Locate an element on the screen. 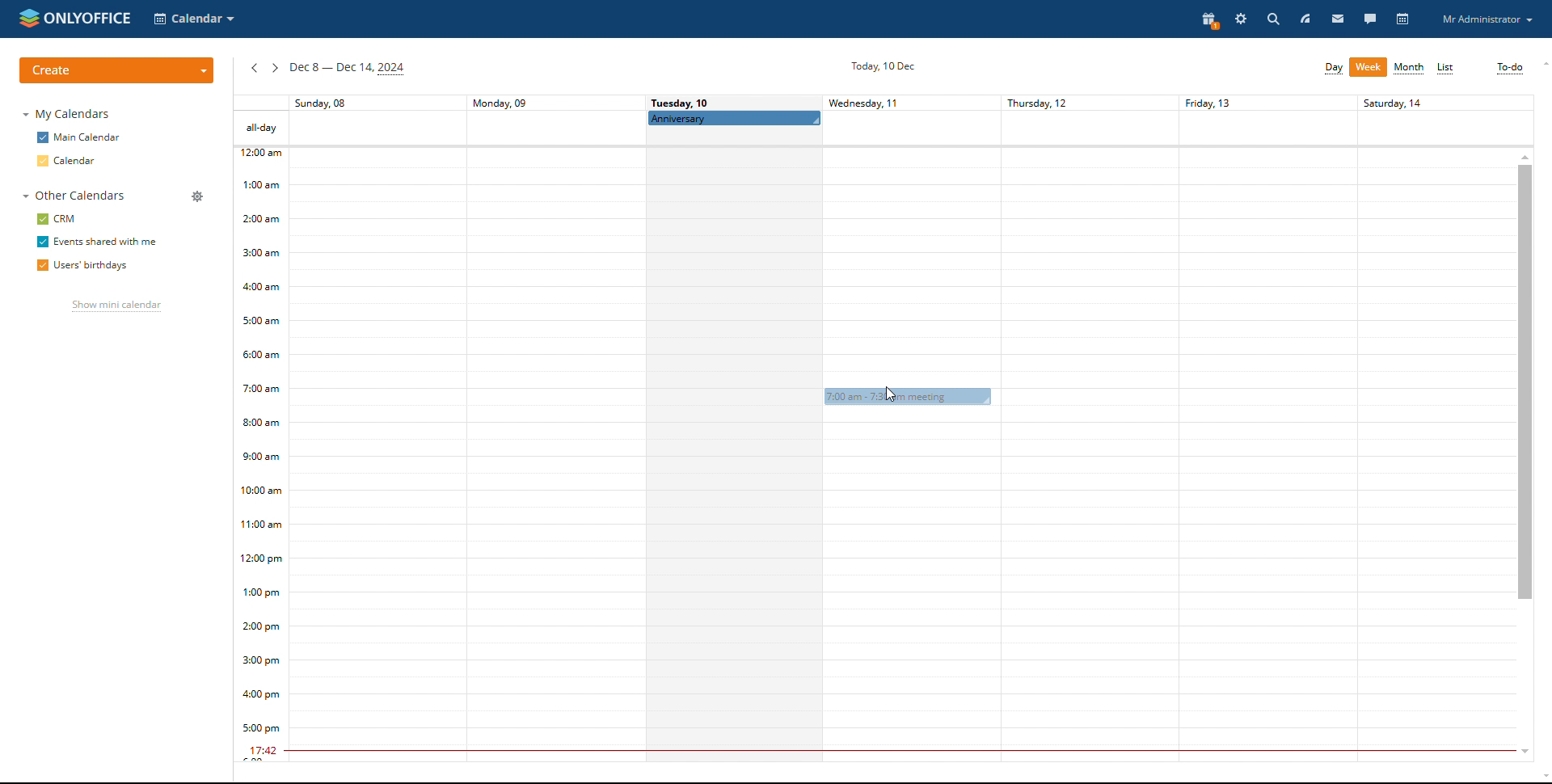  profile is located at coordinates (1487, 19).